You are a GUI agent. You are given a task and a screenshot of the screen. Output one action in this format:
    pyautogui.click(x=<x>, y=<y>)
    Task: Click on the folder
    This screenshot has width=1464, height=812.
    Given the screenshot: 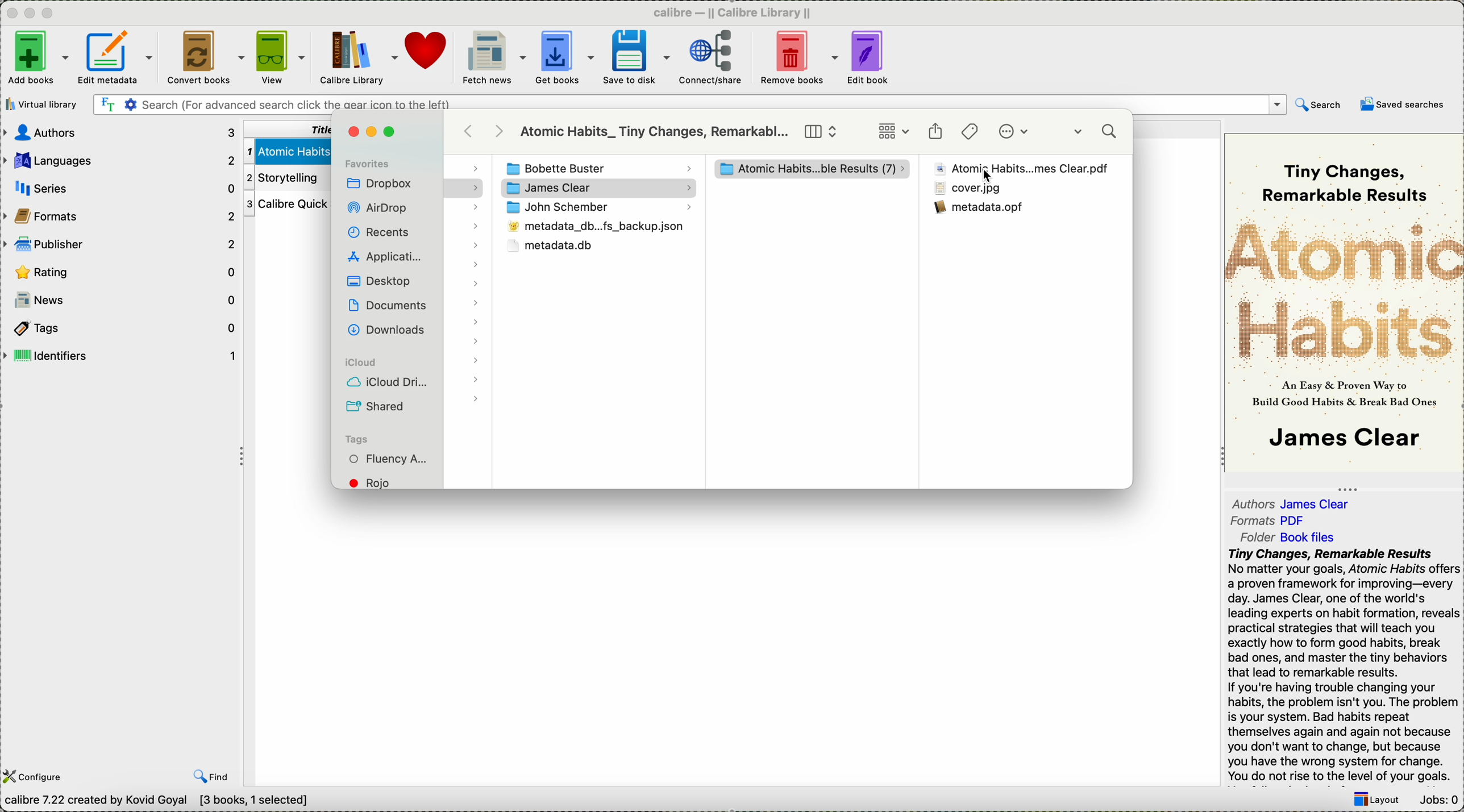 What is the action you would take?
    pyautogui.click(x=1295, y=536)
    